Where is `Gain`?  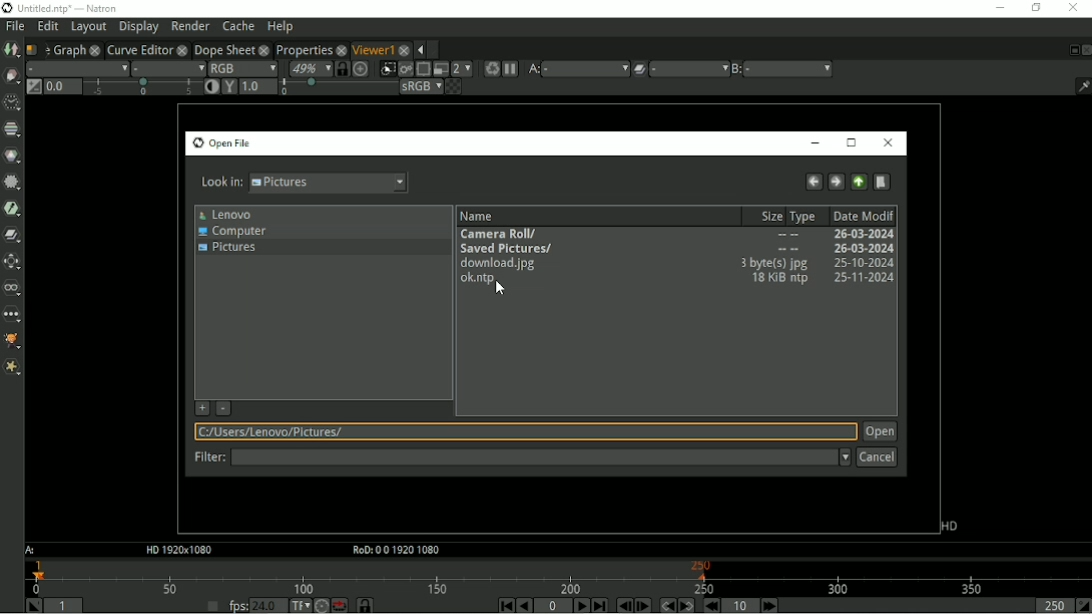
Gain is located at coordinates (63, 86).